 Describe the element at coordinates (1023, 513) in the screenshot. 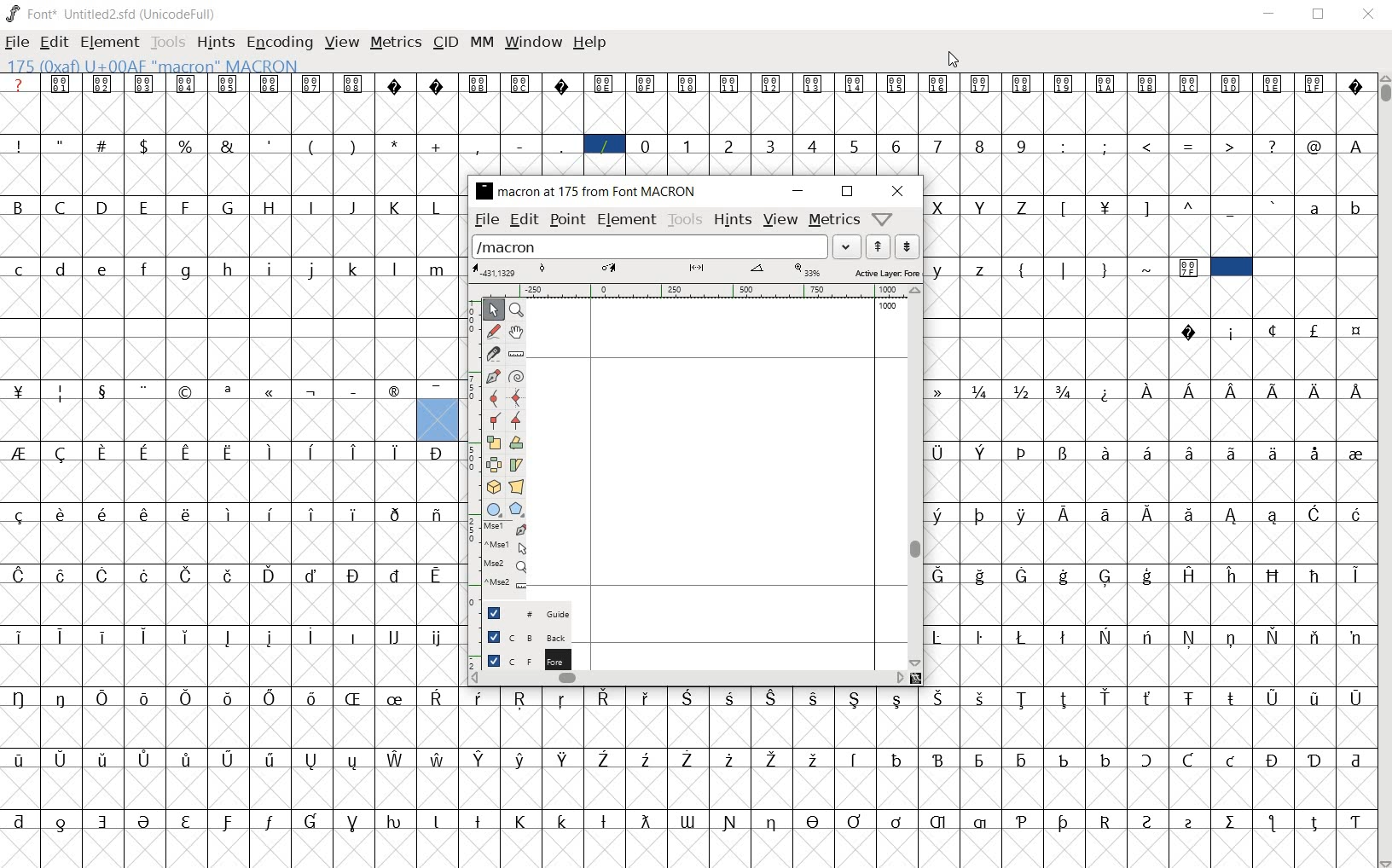

I see `Symbol` at that location.